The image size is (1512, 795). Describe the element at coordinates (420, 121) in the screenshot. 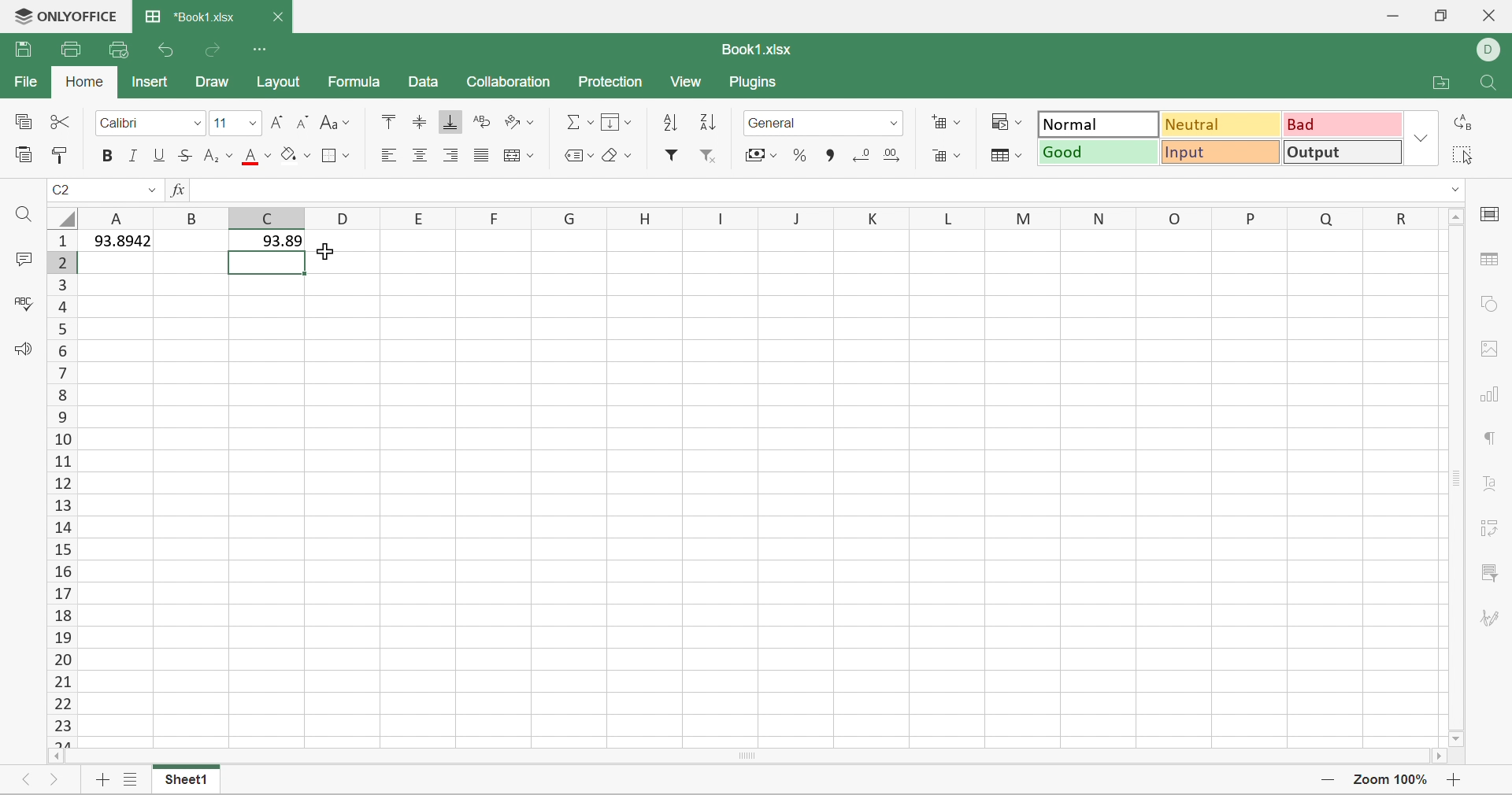

I see `Align Middle` at that location.